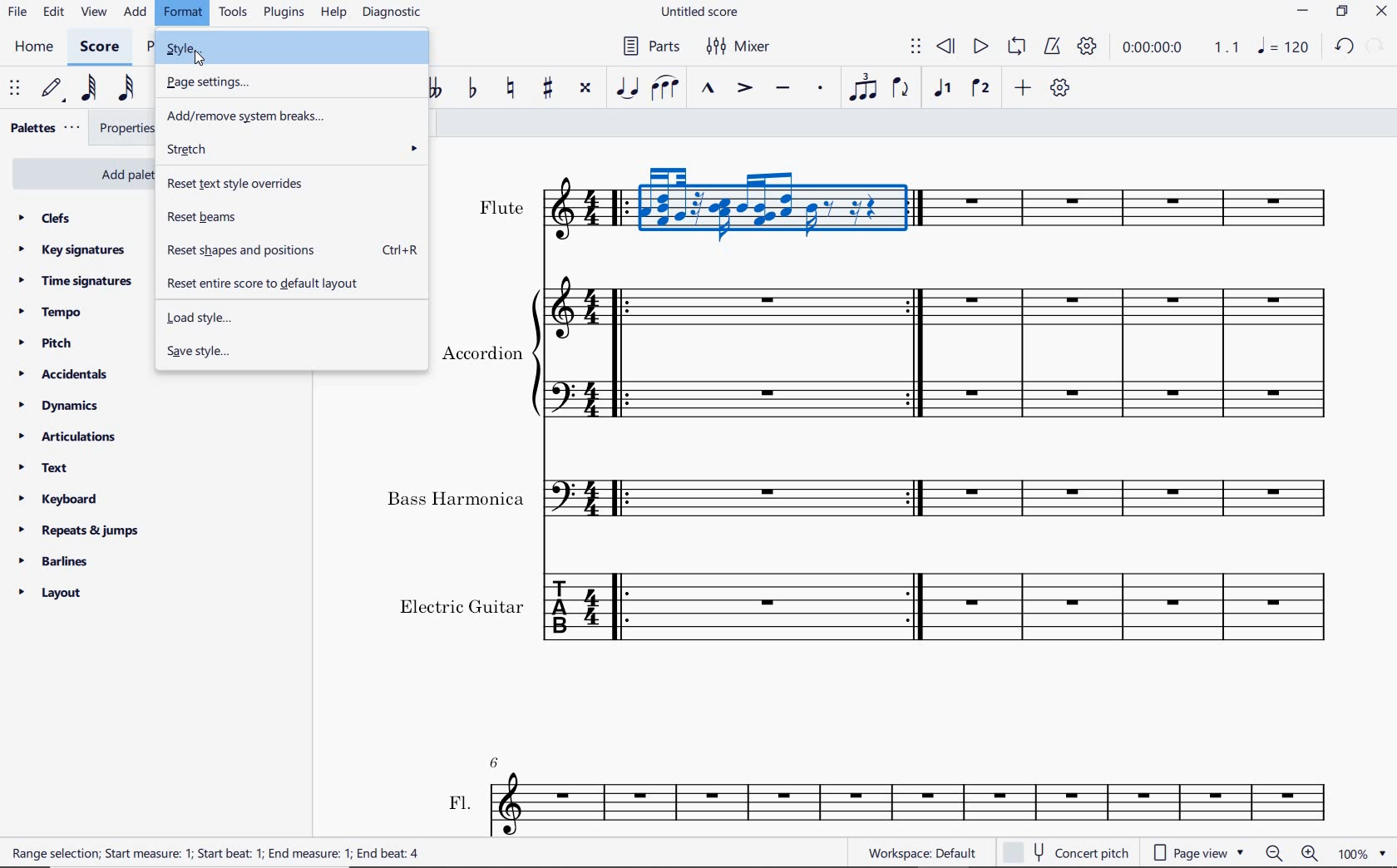 The width and height of the screenshot is (1397, 868). What do you see at coordinates (1195, 852) in the screenshot?
I see `page view` at bounding box center [1195, 852].